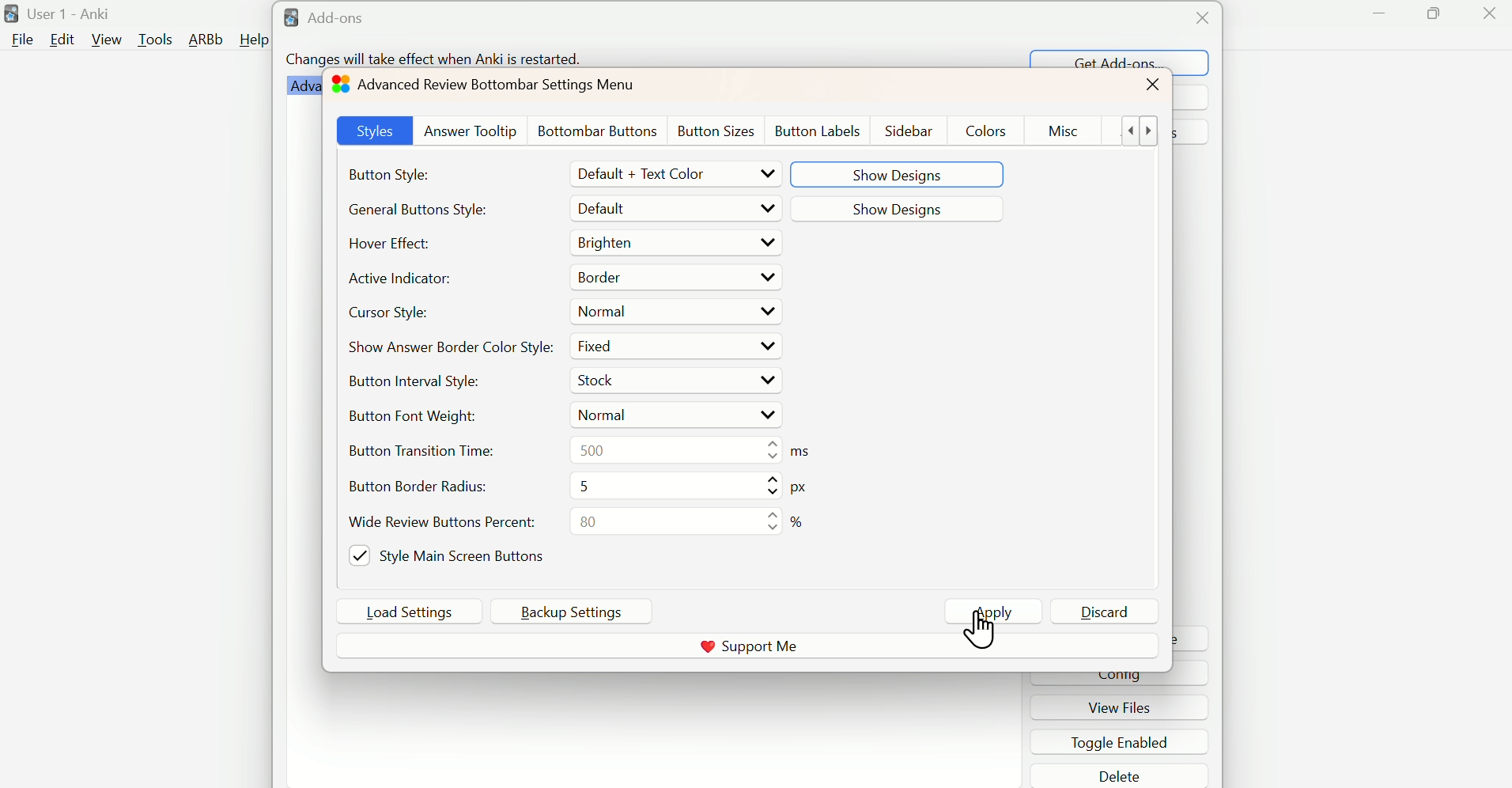 This screenshot has width=1512, height=788. What do you see at coordinates (427, 381) in the screenshot?
I see `Button Internal Style` at bounding box center [427, 381].